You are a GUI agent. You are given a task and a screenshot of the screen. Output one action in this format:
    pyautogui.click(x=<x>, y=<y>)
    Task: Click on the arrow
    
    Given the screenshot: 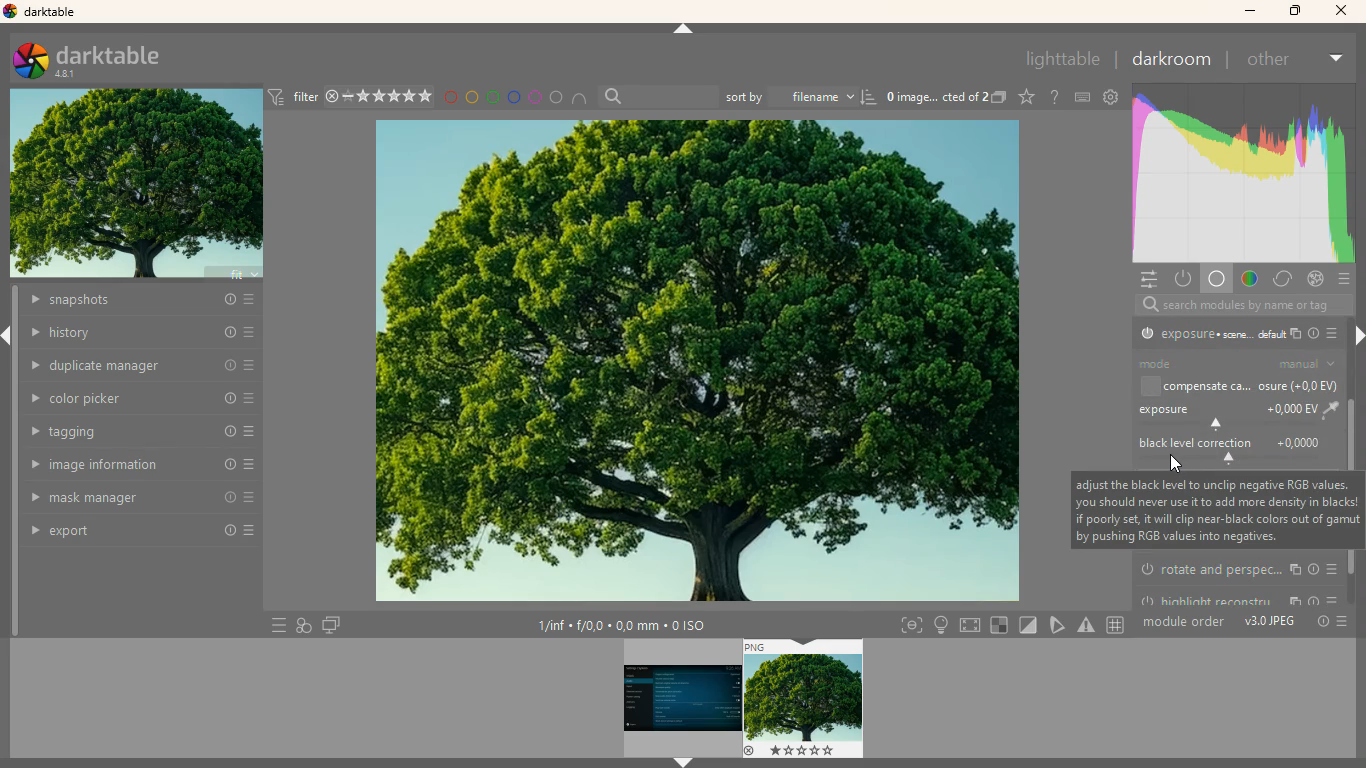 What is the action you would take?
    pyautogui.click(x=682, y=30)
    